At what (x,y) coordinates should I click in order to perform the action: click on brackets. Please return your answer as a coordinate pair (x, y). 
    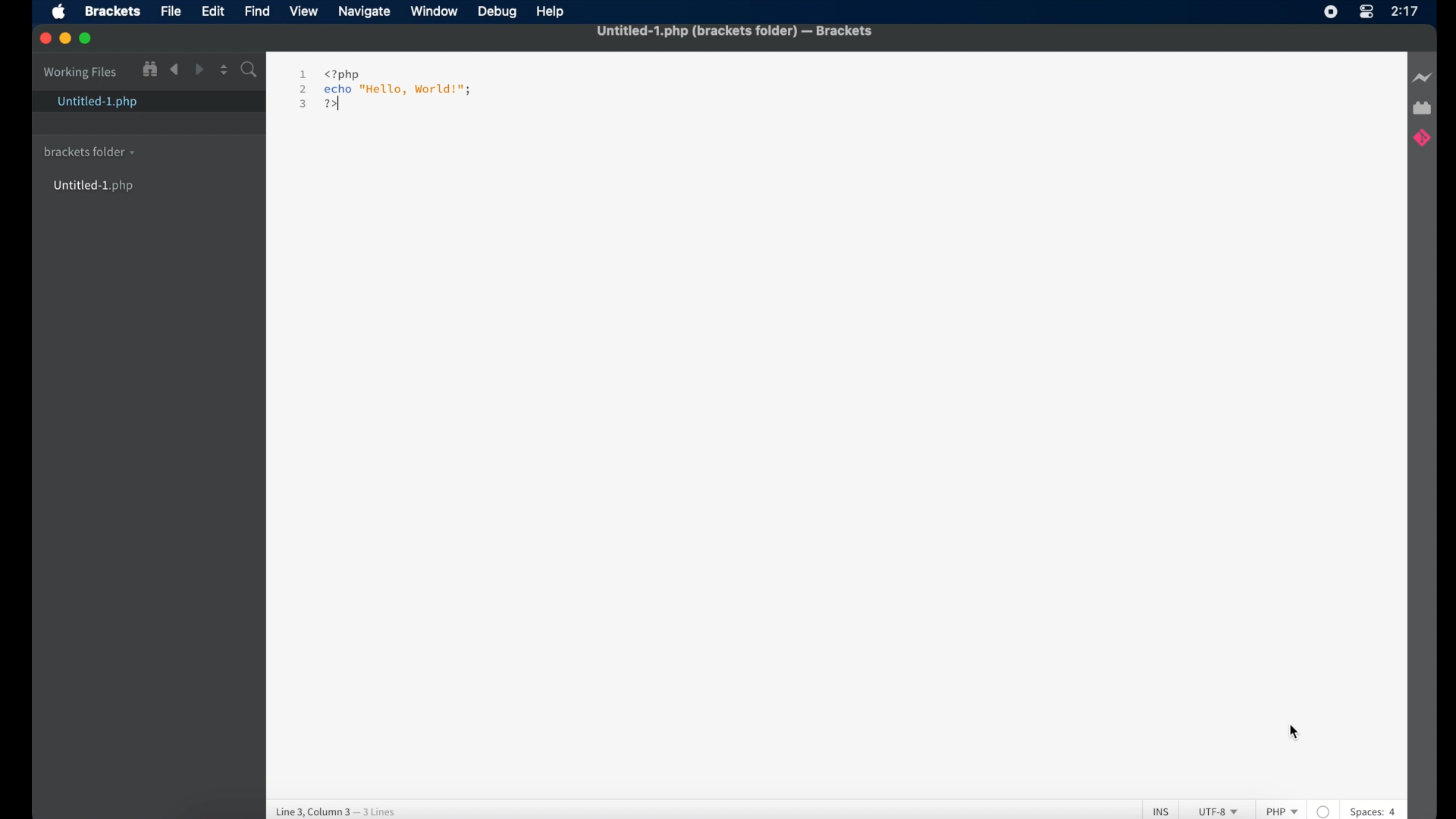
    Looking at the image, I should click on (113, 13).